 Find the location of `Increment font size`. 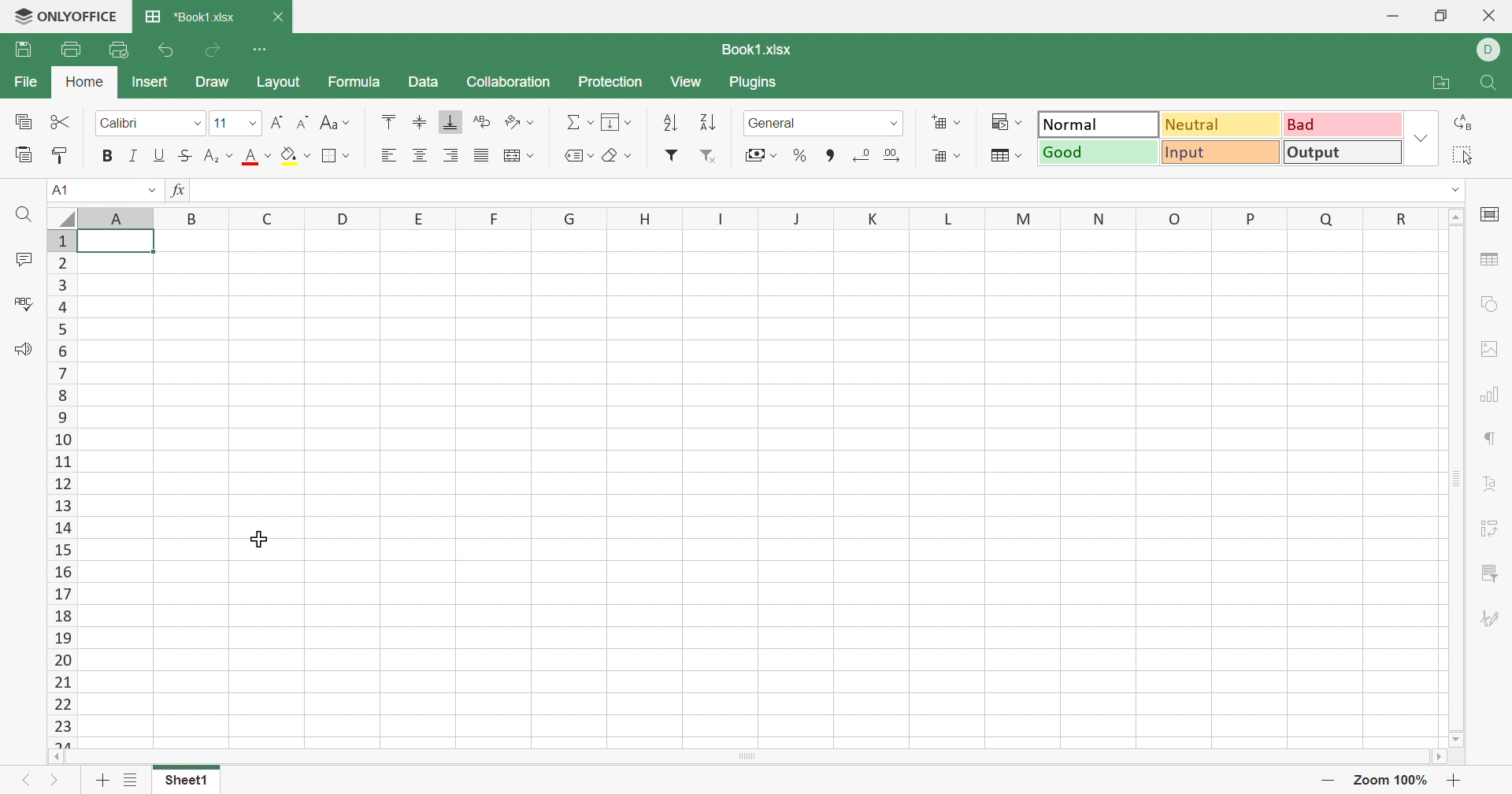

Increment font size is located at coordinates (277, 121).